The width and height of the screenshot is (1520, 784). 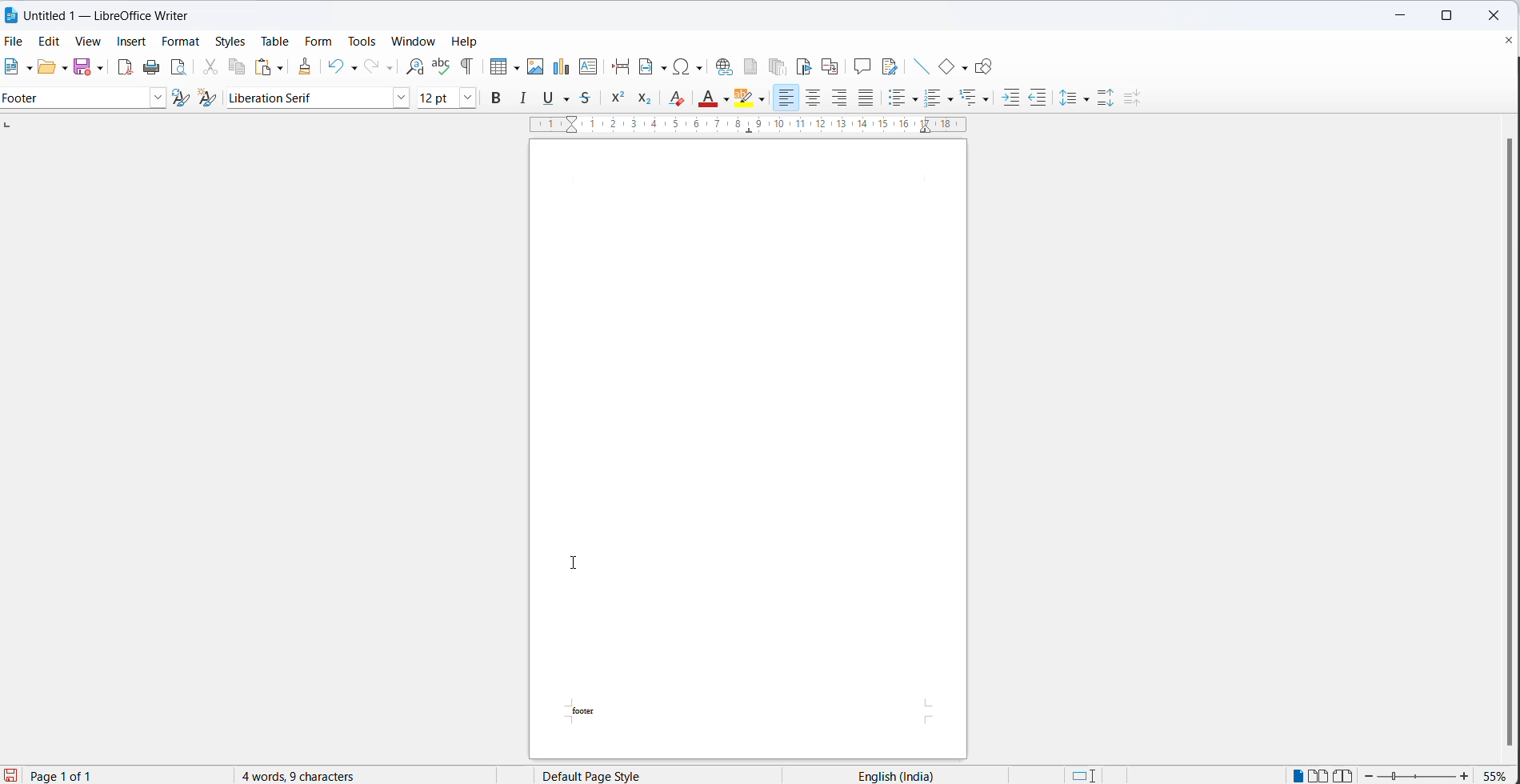 I want to click on create new style from selection, so click(x=208, y=96).